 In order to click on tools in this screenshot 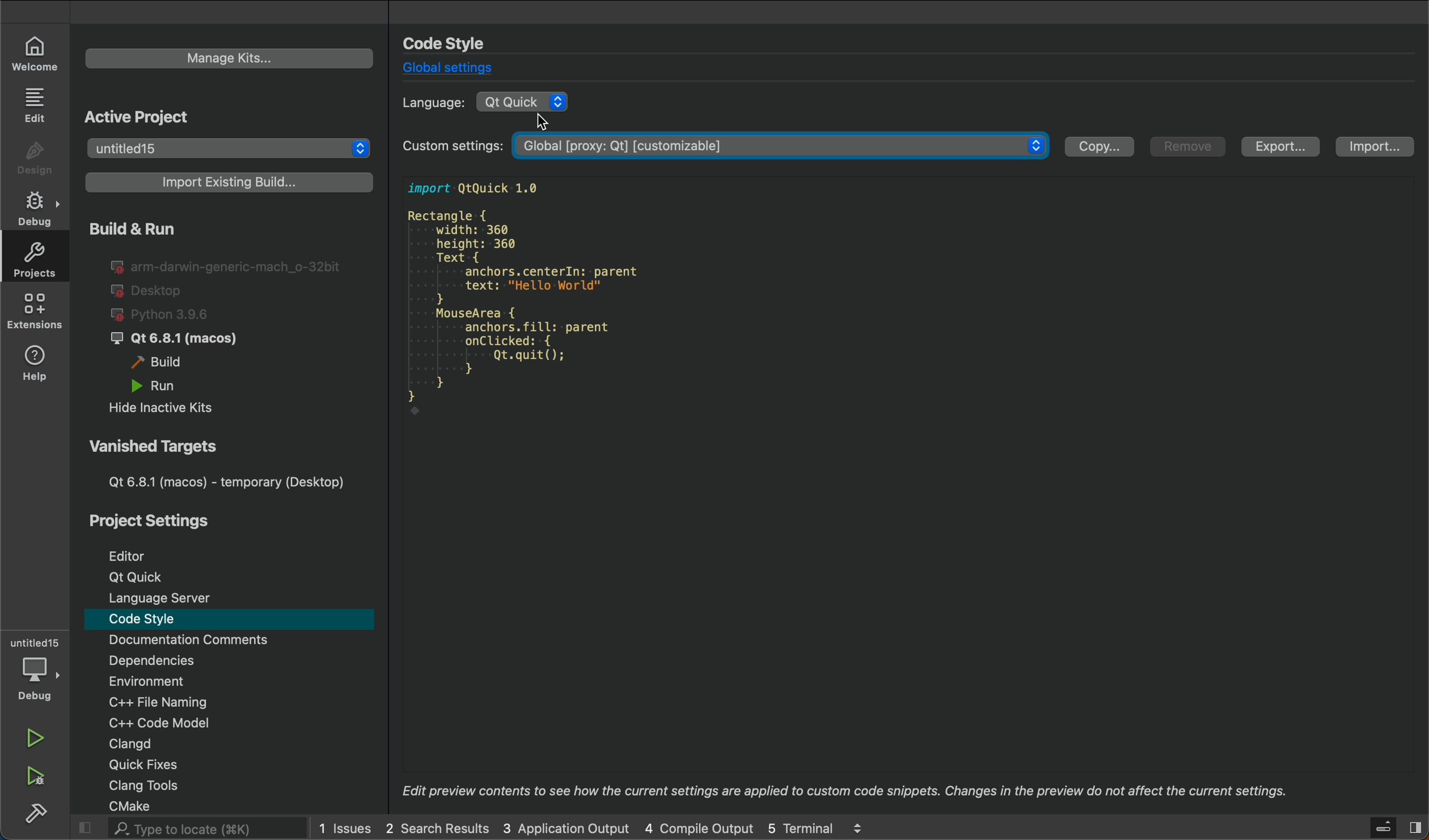, I will do `click(158, 786)`.